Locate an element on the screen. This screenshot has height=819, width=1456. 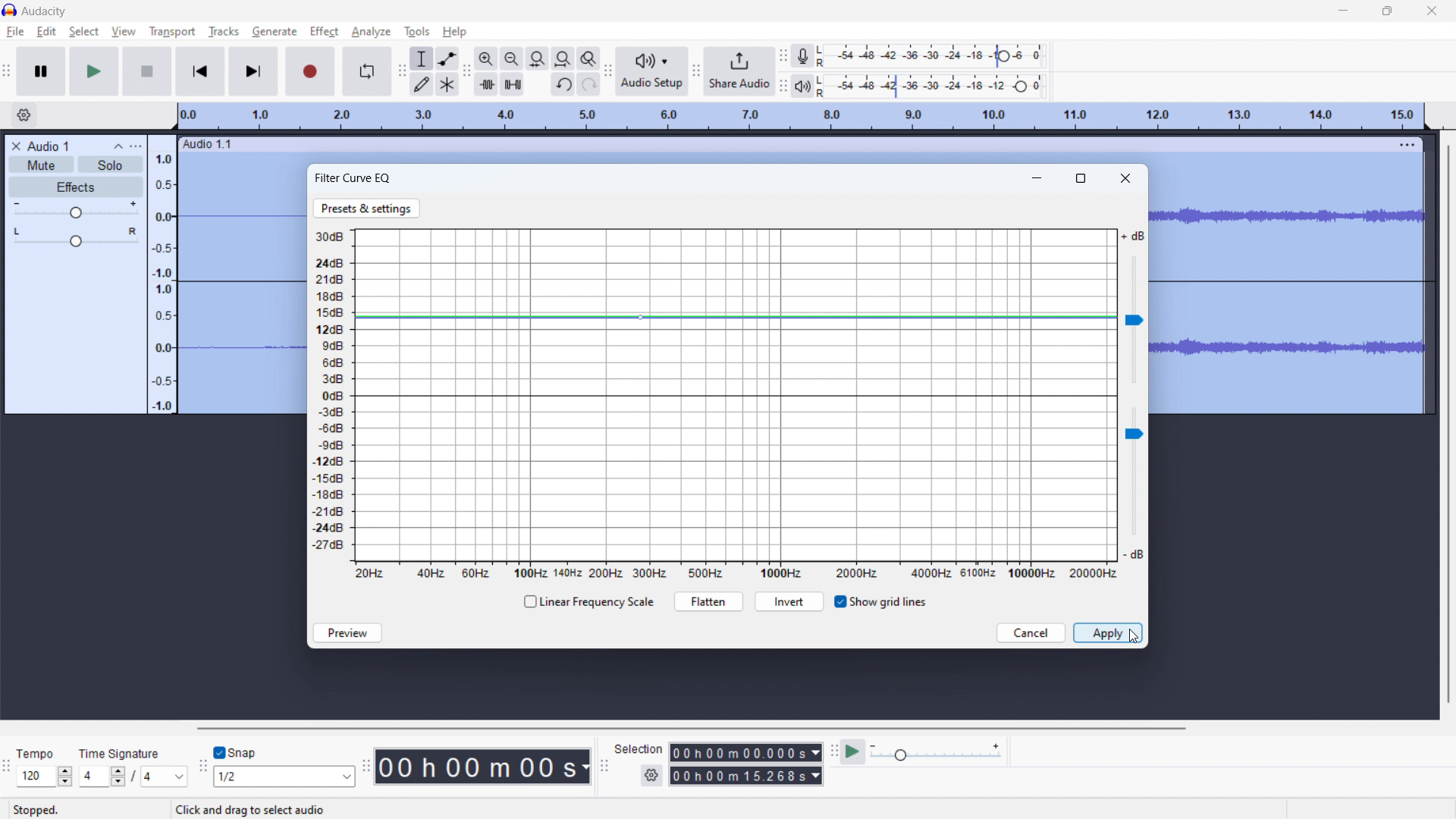
linear frequency scale checkbox is located at coordinates (587, 602).